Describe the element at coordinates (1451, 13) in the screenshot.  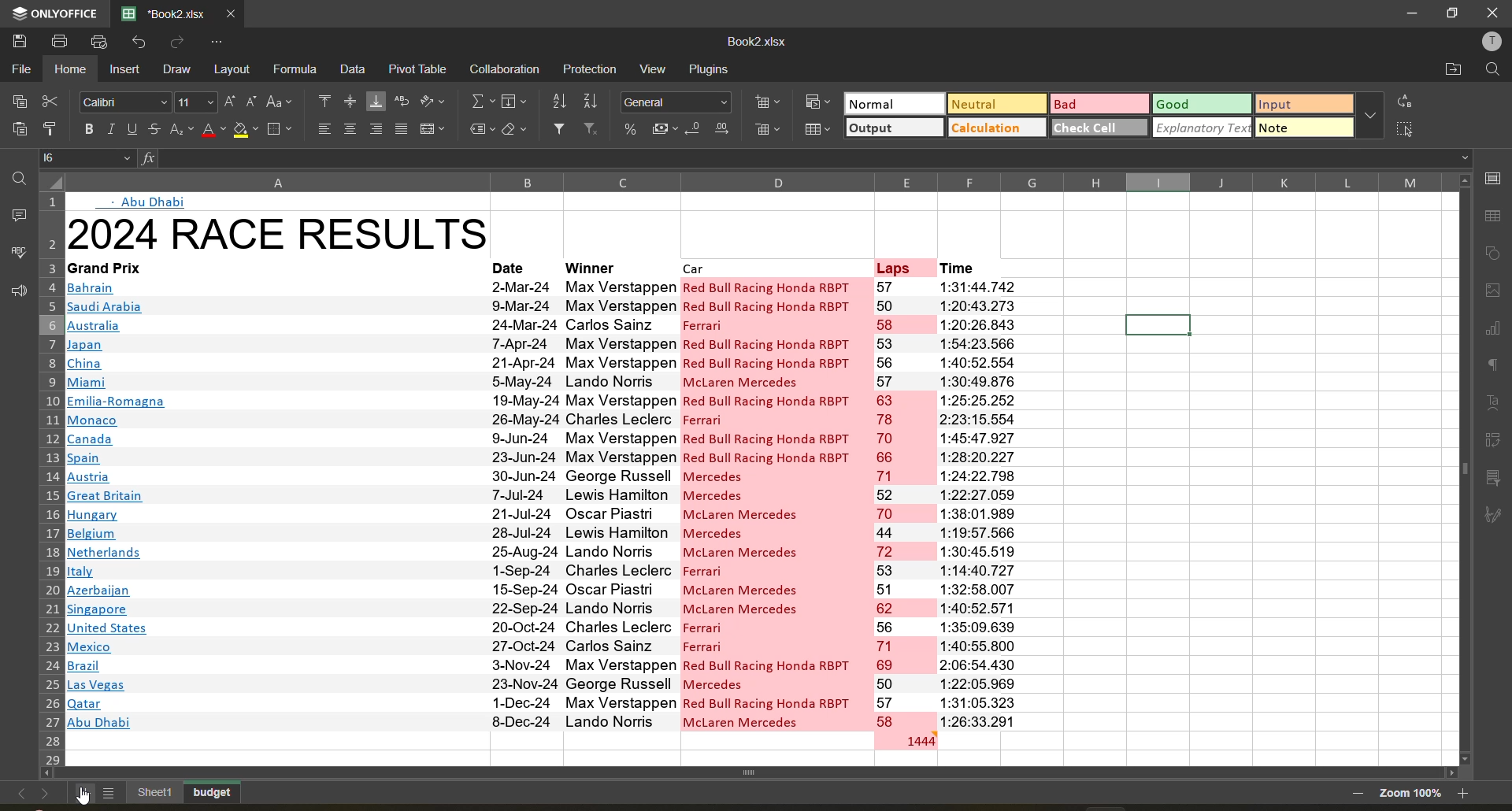
I see `maximize` at that location.